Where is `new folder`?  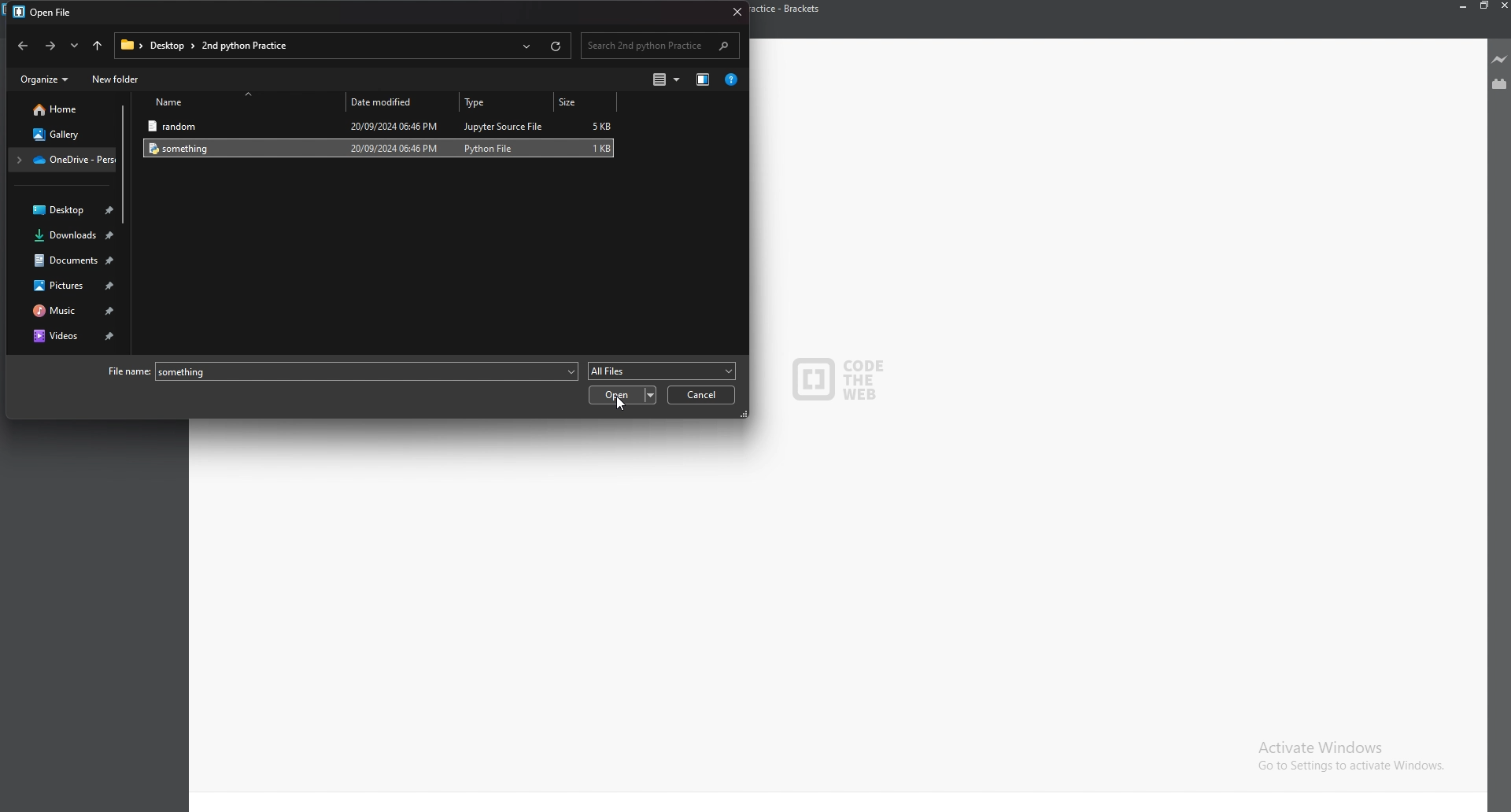
new folder is located at coordinates (116, 80).